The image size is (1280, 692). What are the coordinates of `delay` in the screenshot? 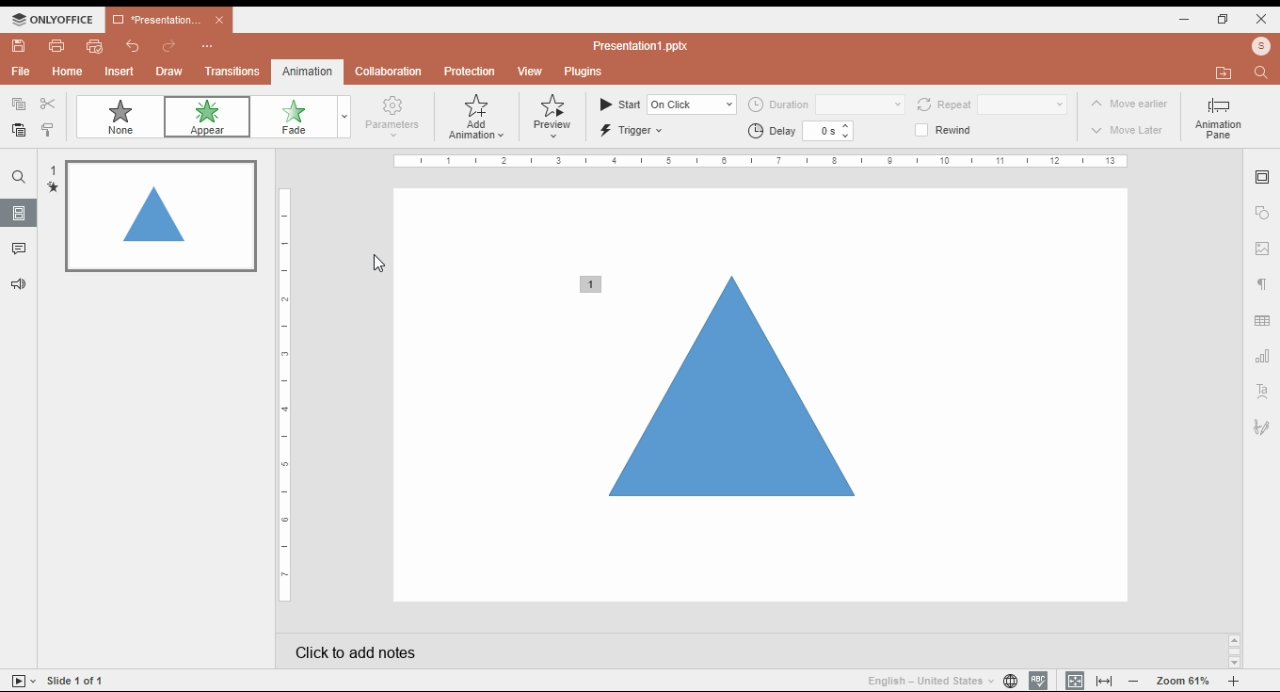 It's located at (770, 130).